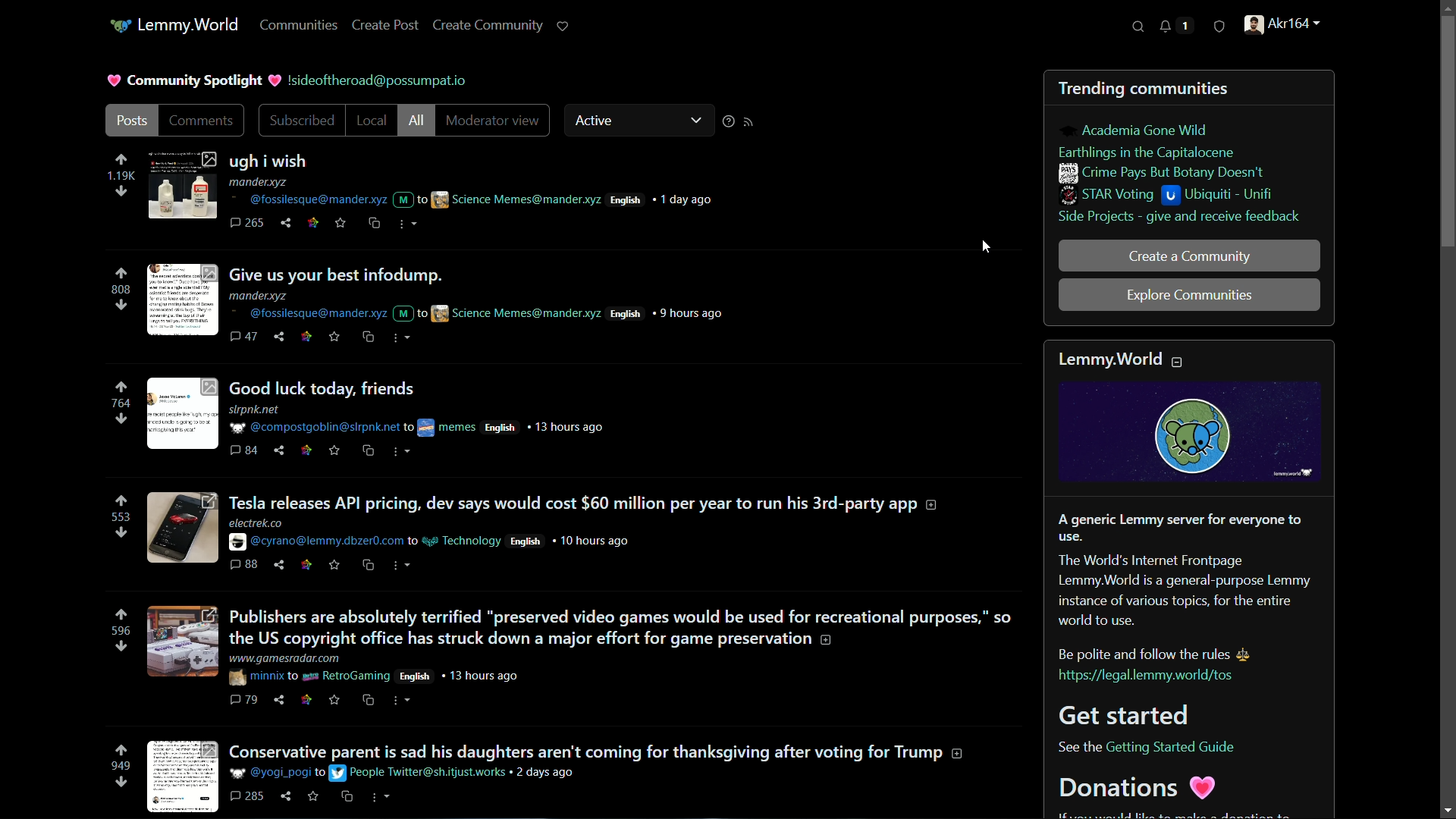  Describe the element at coordinates (405, 225) in the screenshot. I see `more actions` at that location.